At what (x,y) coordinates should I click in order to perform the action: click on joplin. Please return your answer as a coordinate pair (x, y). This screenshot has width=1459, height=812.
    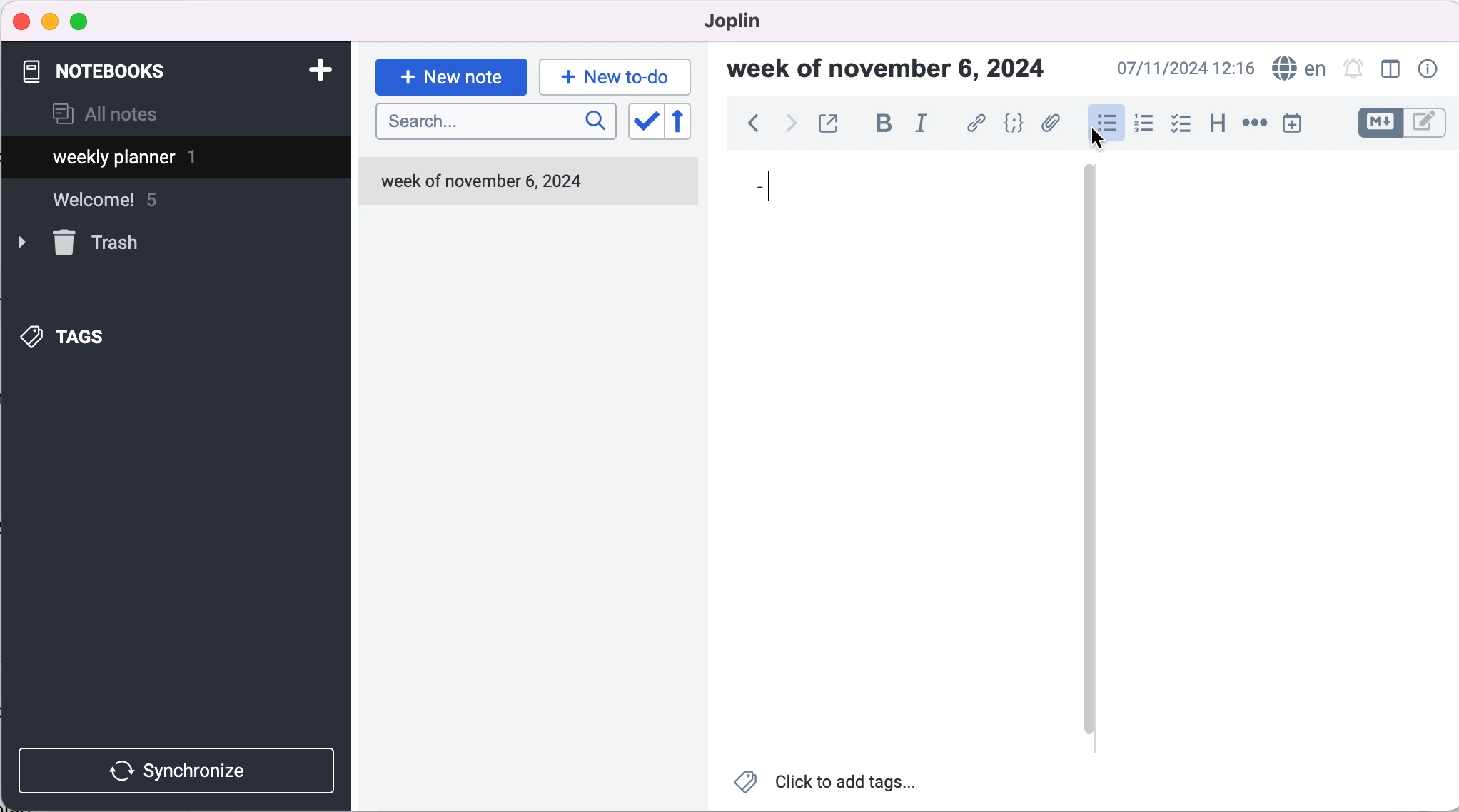
    Looking at the image, I should click on (754, 21).